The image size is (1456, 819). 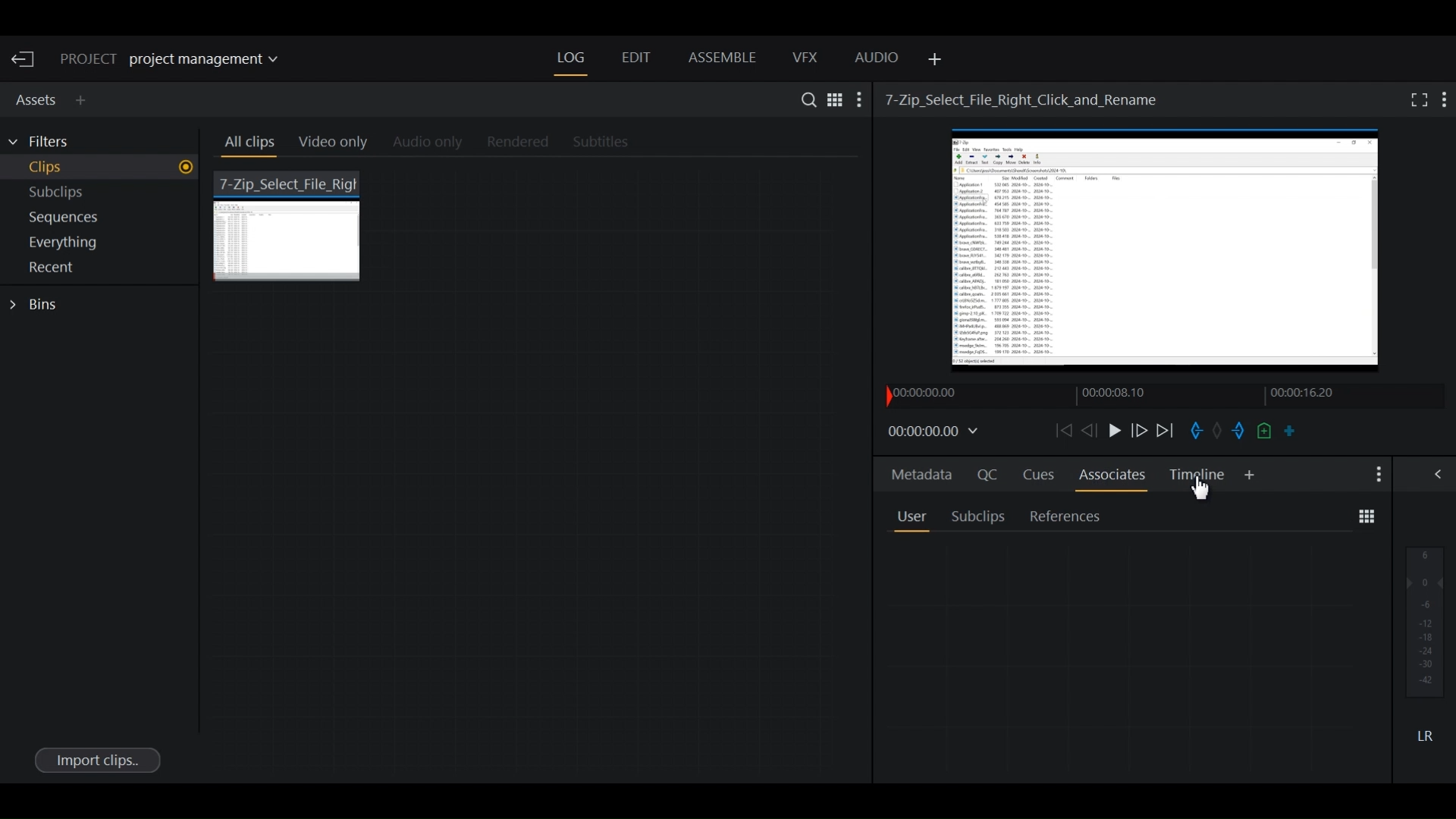 What do you see at coordinates (984, 474) in the screenshot?
I see `Quality Control` at bounding box center [984, 474].